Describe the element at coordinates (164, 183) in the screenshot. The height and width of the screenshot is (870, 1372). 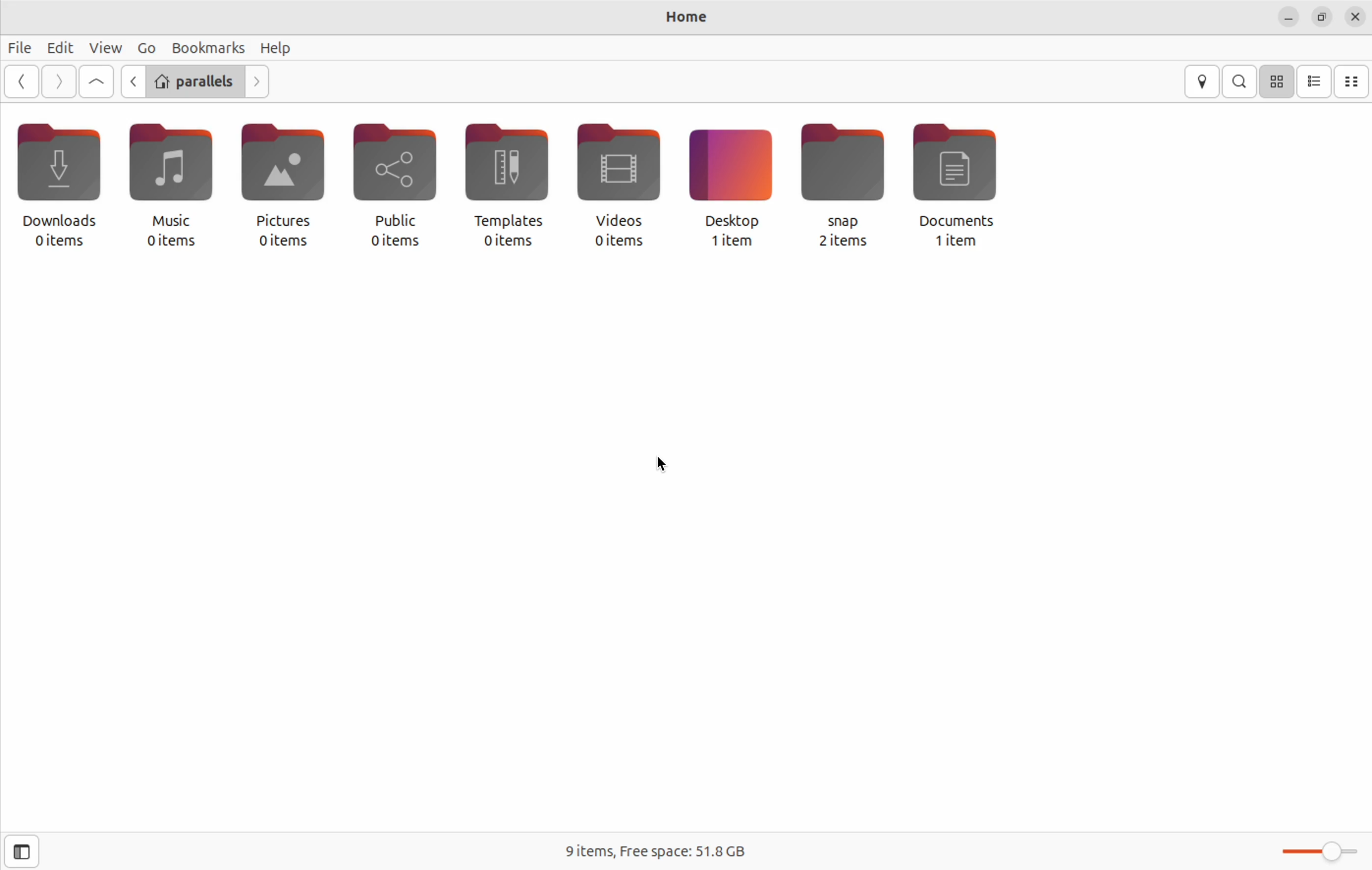
I see `music 0 items` at that location.